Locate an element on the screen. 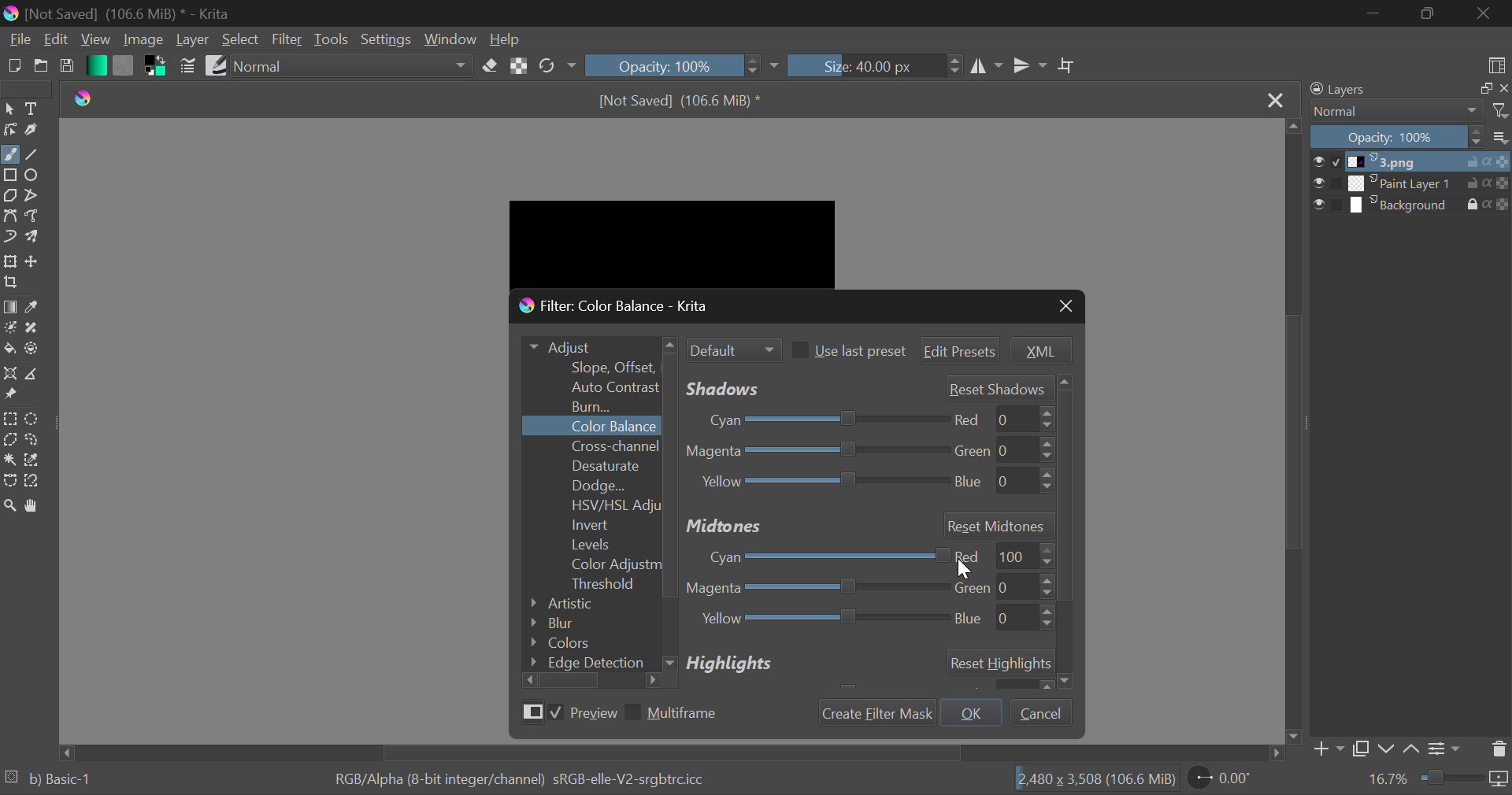 This screenshot has width=1512, height=795. Cross-channel is located at coordinates (591, 446).